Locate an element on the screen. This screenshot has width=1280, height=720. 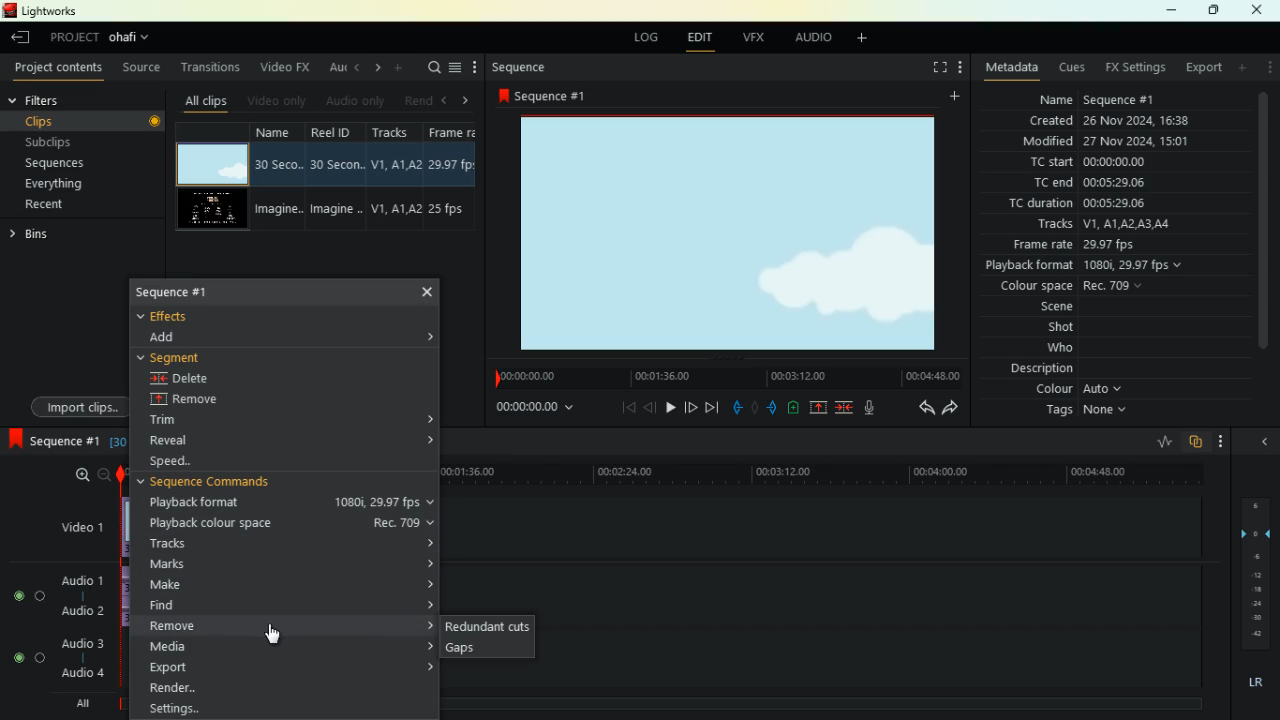
overlap is located at coordinates (1194, 444).